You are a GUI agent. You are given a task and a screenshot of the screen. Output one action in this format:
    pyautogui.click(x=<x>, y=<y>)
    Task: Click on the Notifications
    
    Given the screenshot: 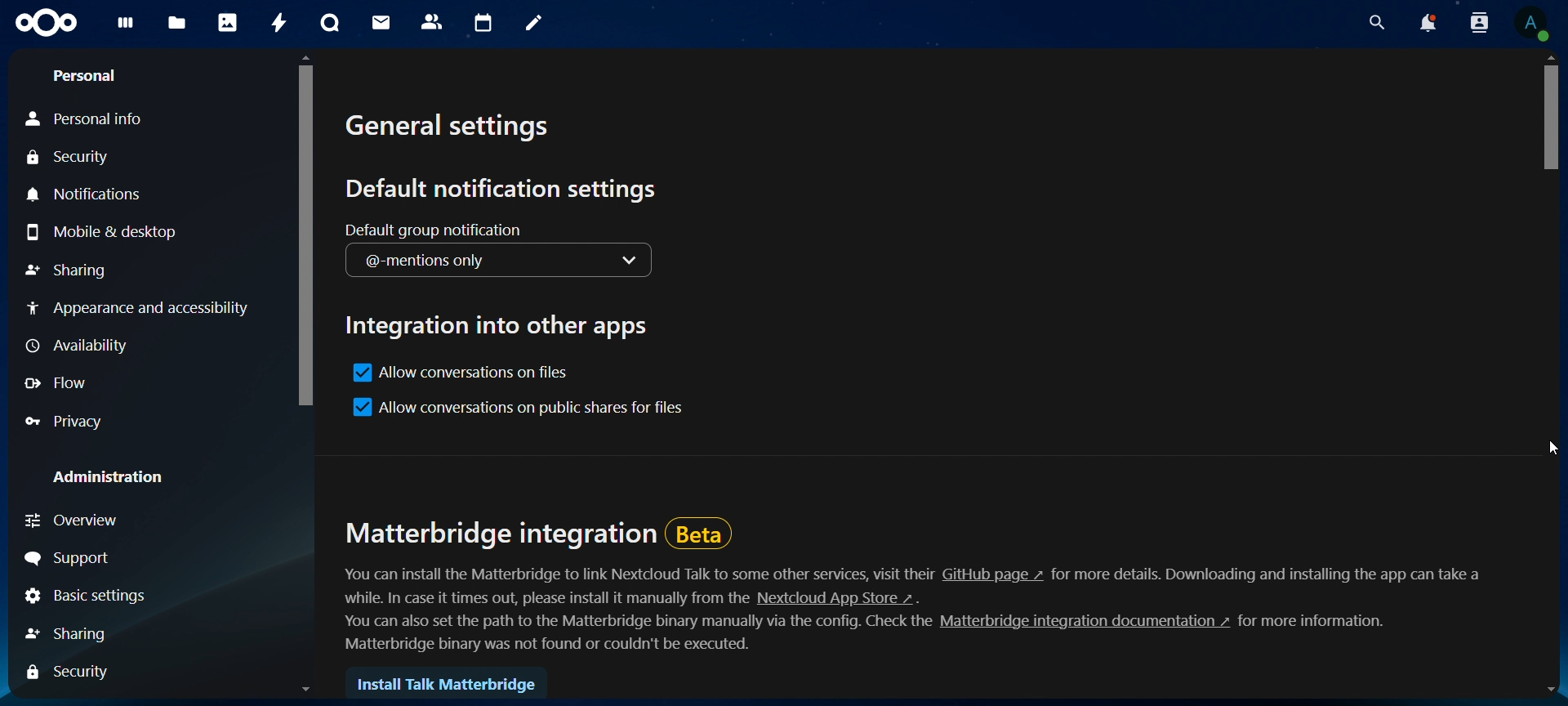 What is the action you would take?
    pyautogui.click(x=135, y=197)
    